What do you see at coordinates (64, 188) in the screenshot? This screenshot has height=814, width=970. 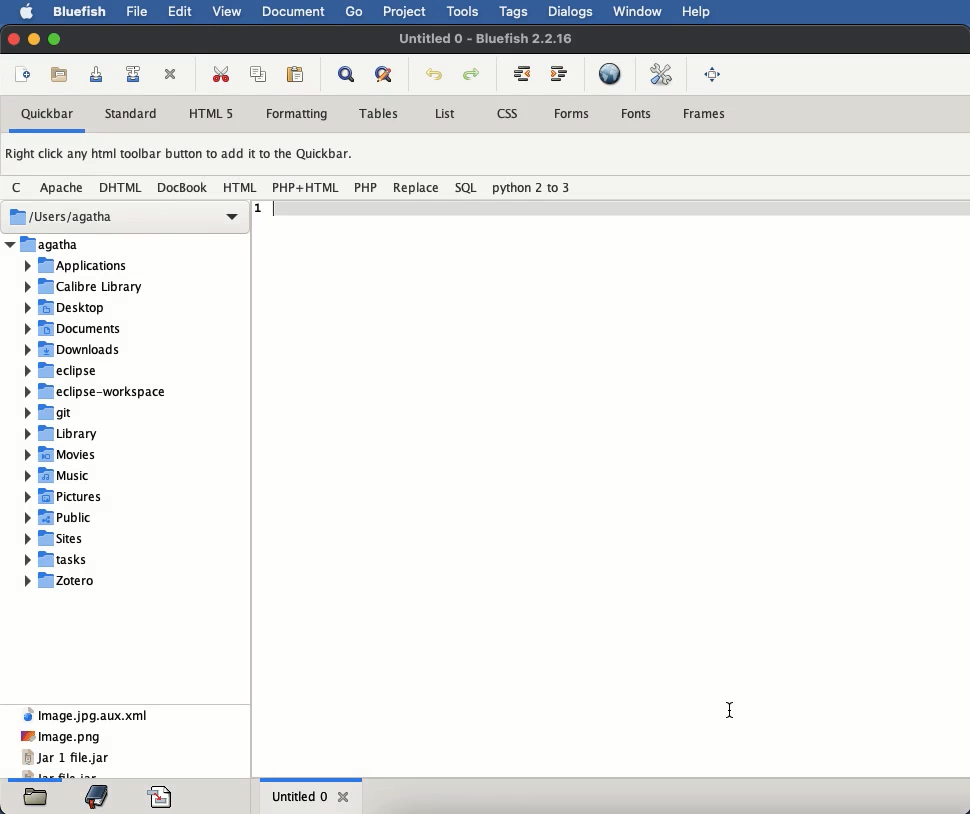 I see `Apache` at bounding box center [64, 188].